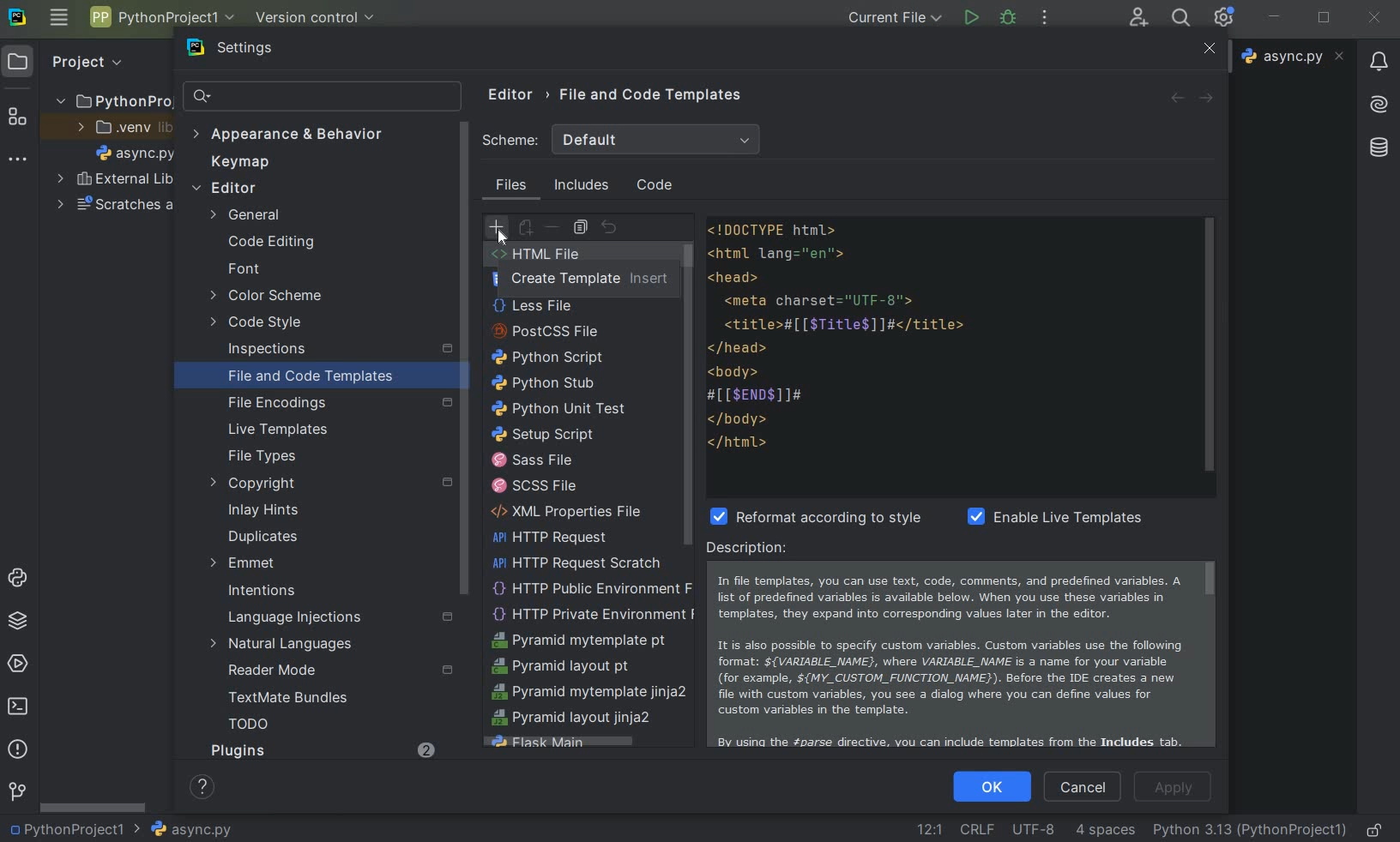  What do you see at coordinates (548, 359) in the screenshot?
I see `python script` at bounding box center [548, 359].